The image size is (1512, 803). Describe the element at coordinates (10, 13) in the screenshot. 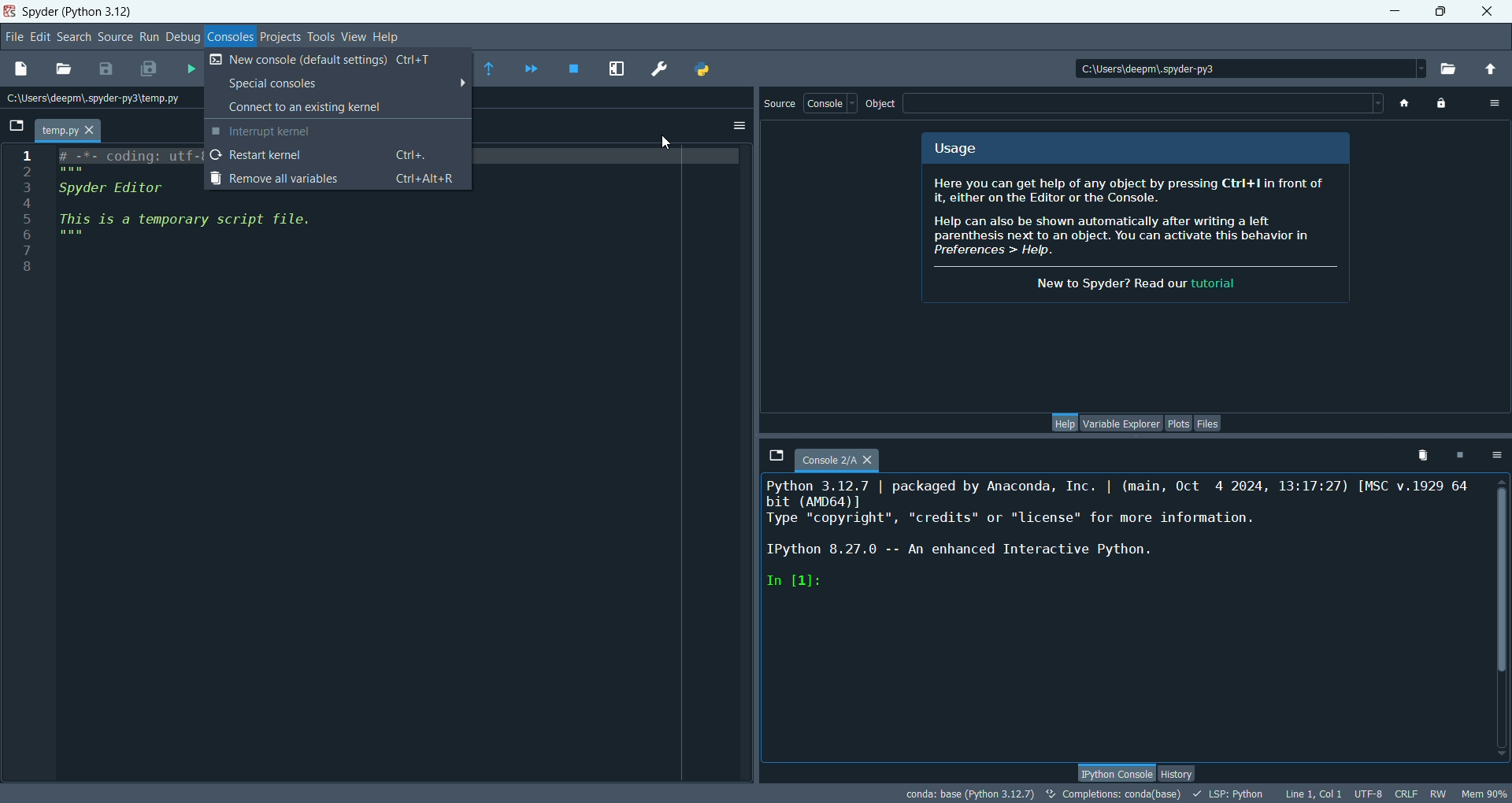

I see `logo` at that location.